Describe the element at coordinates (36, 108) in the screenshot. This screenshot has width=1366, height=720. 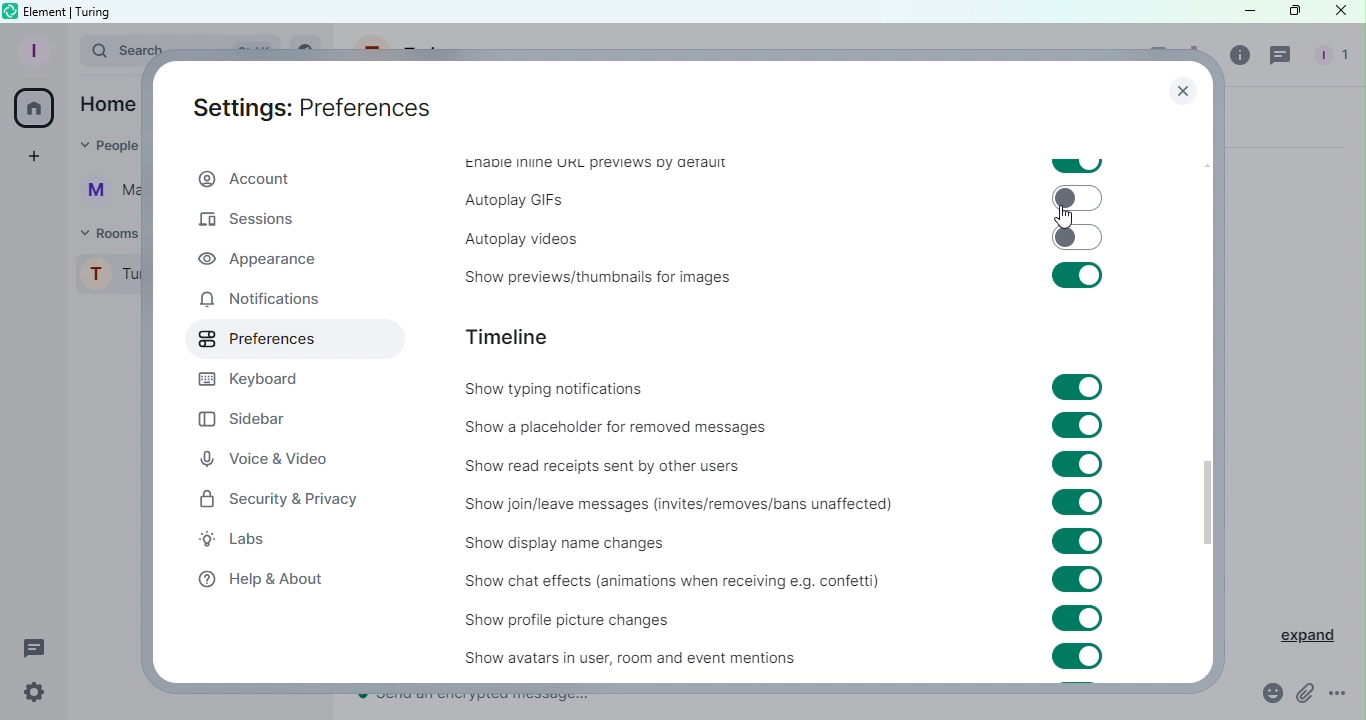
I see `Home` at that location.